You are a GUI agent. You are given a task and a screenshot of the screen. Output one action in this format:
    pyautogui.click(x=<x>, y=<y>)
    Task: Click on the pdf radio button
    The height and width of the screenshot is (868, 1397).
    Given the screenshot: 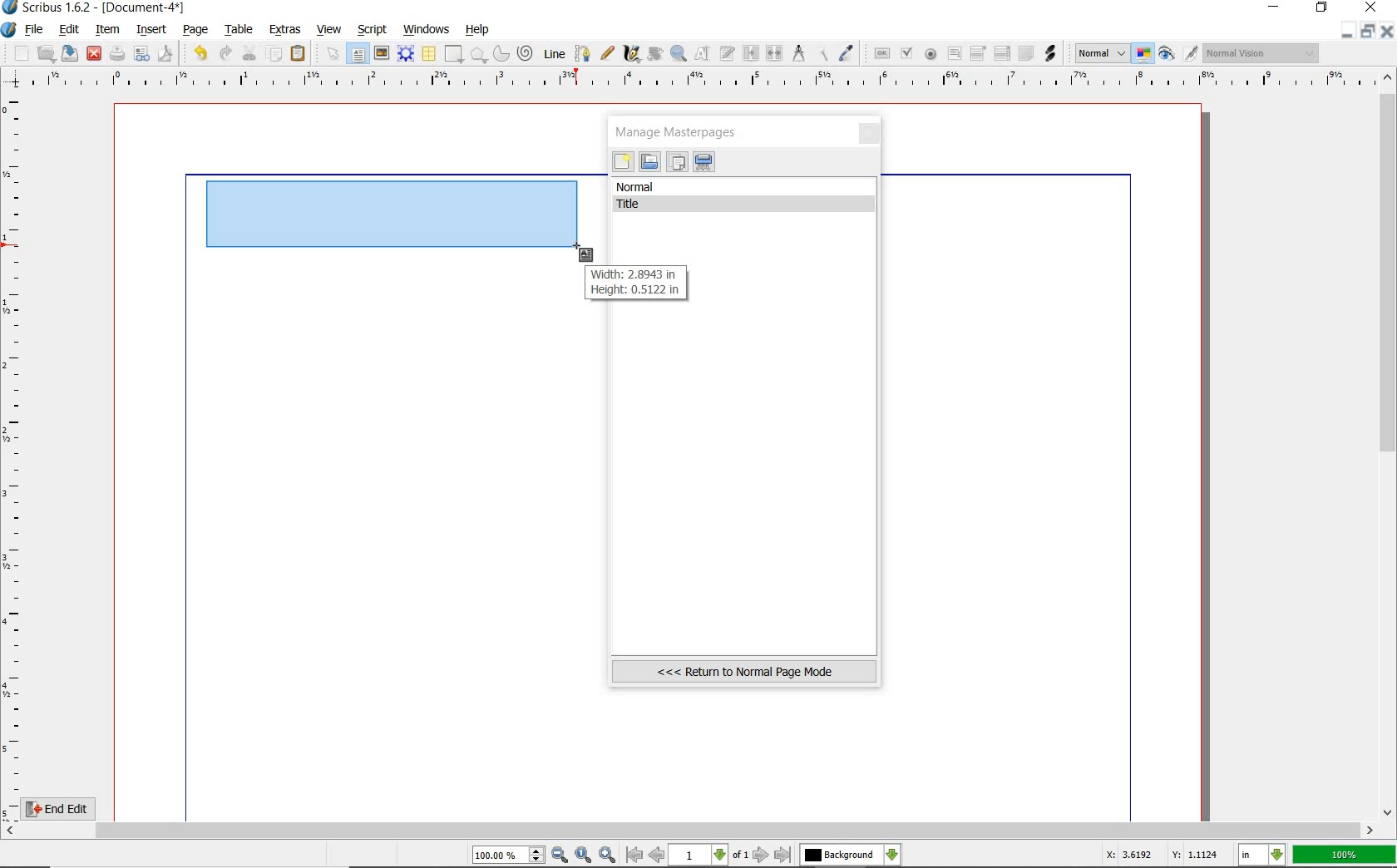 What is the action you would take?
    pyautogui.click(x=930, y=54)
    